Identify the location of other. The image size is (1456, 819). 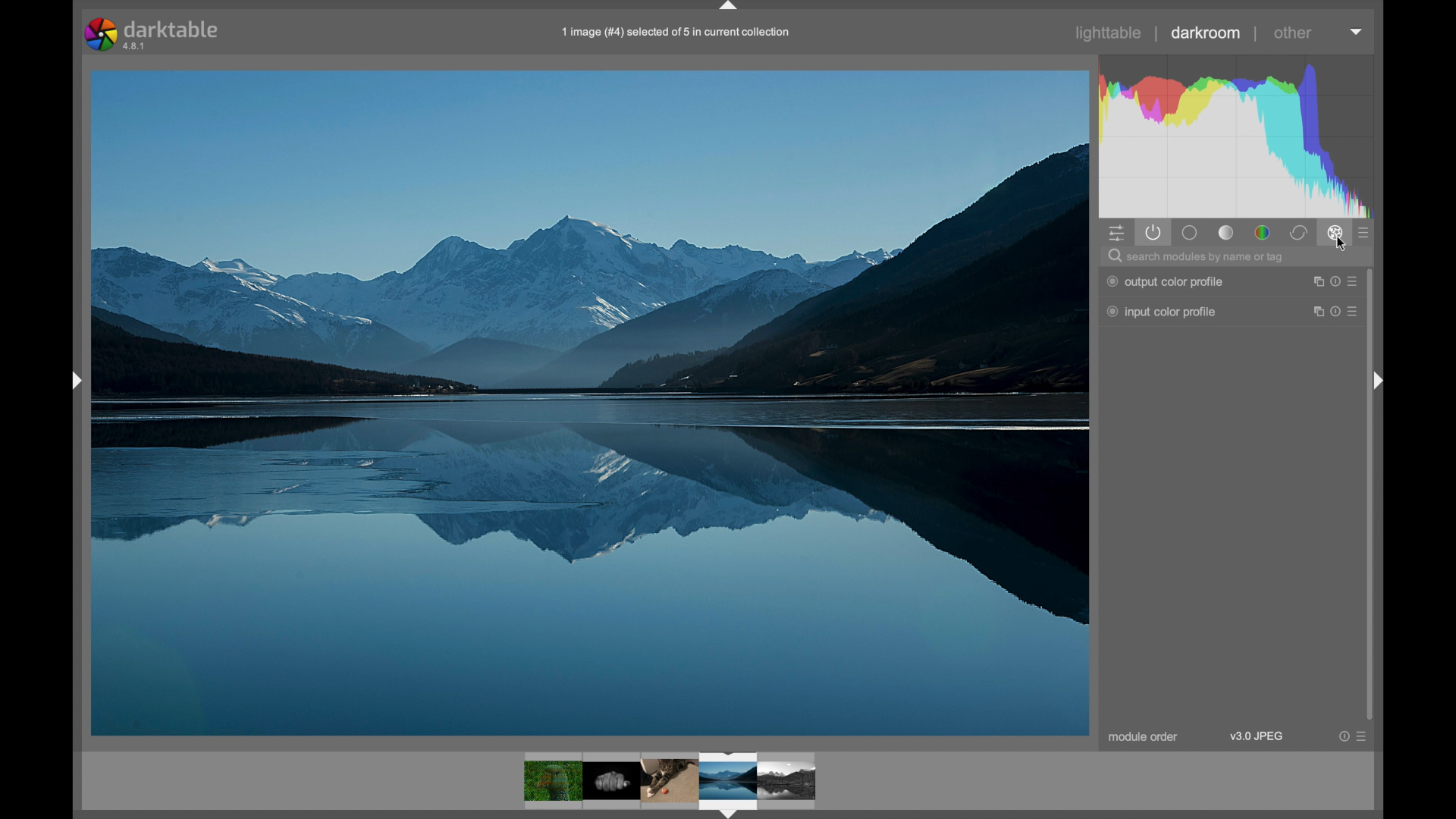
(1293, 33).